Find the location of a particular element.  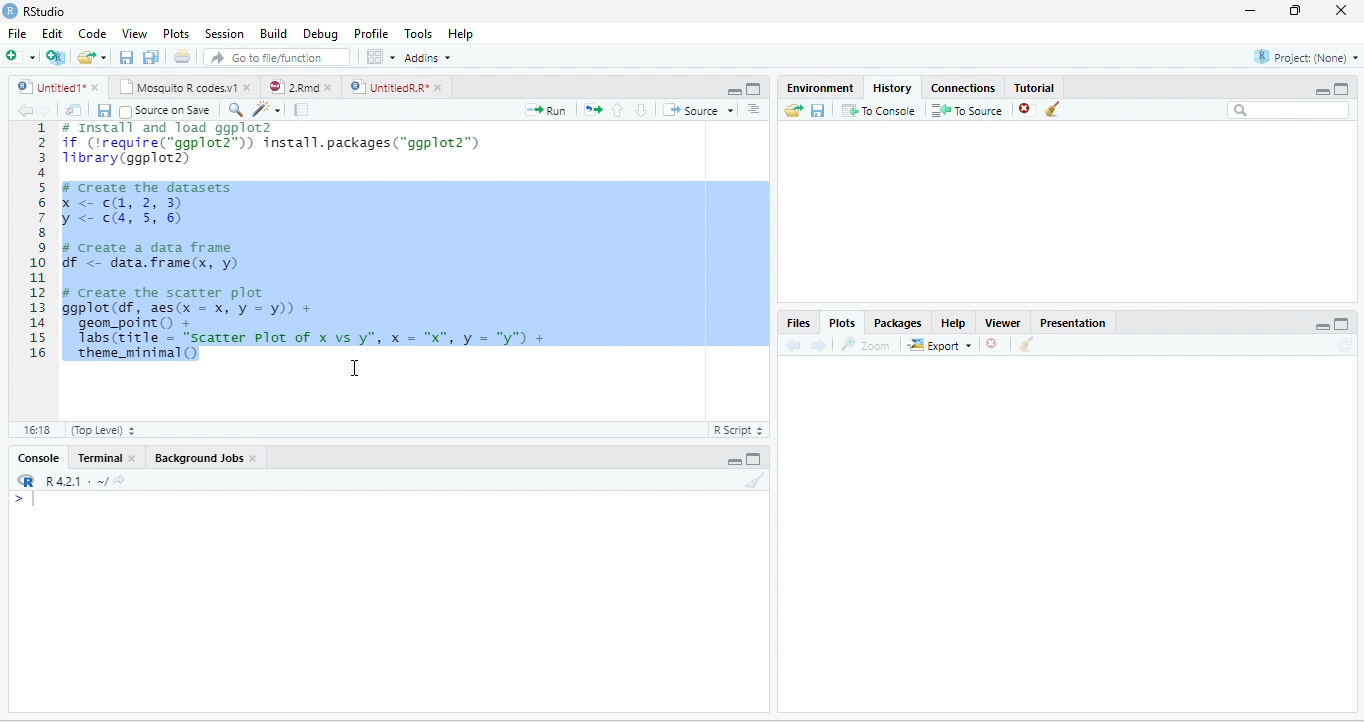

Line numbers is located at coordinates (36, 243).